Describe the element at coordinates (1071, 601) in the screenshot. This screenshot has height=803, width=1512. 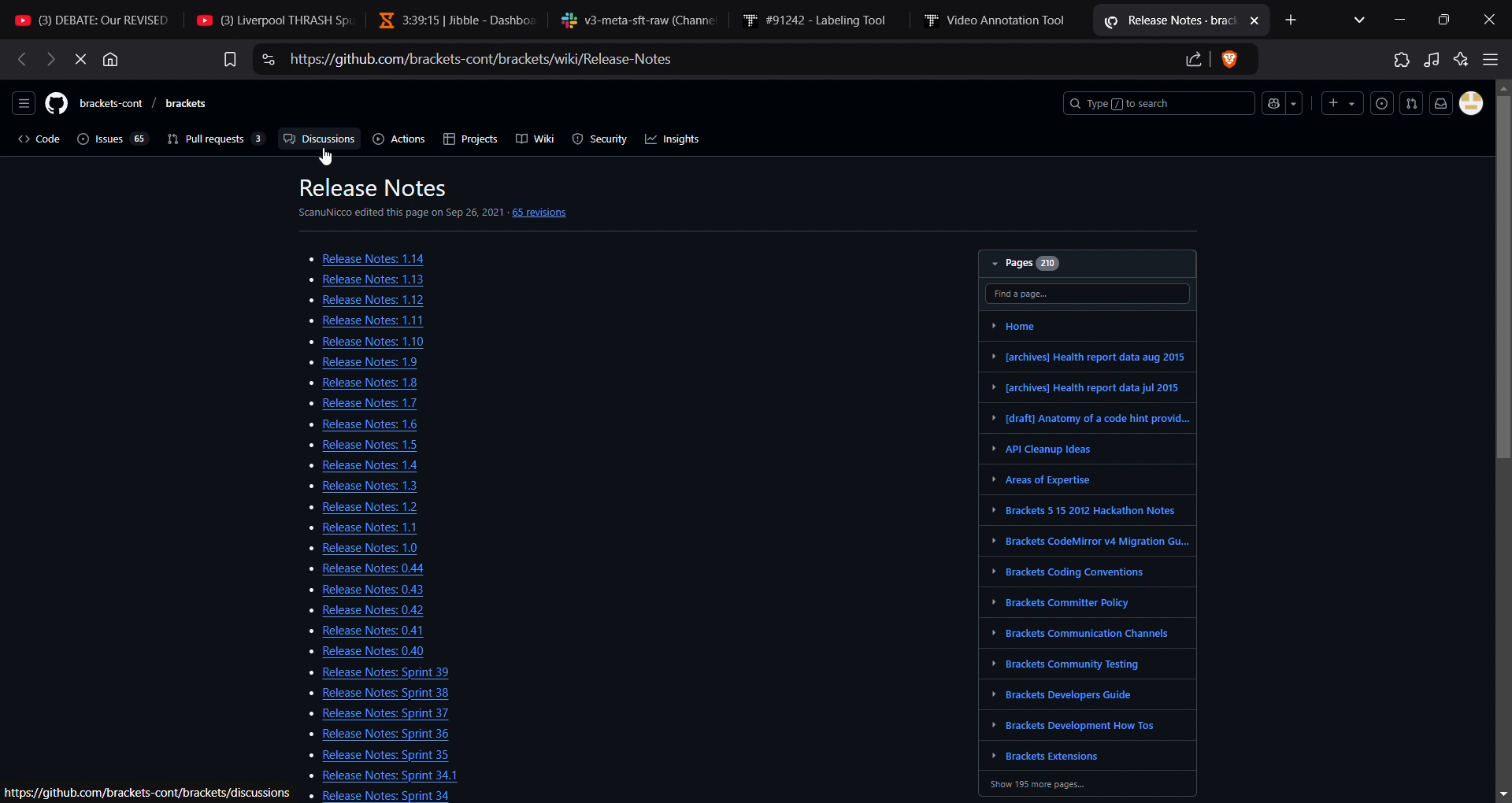
I see `» Brackets Committer Policy` at that location.